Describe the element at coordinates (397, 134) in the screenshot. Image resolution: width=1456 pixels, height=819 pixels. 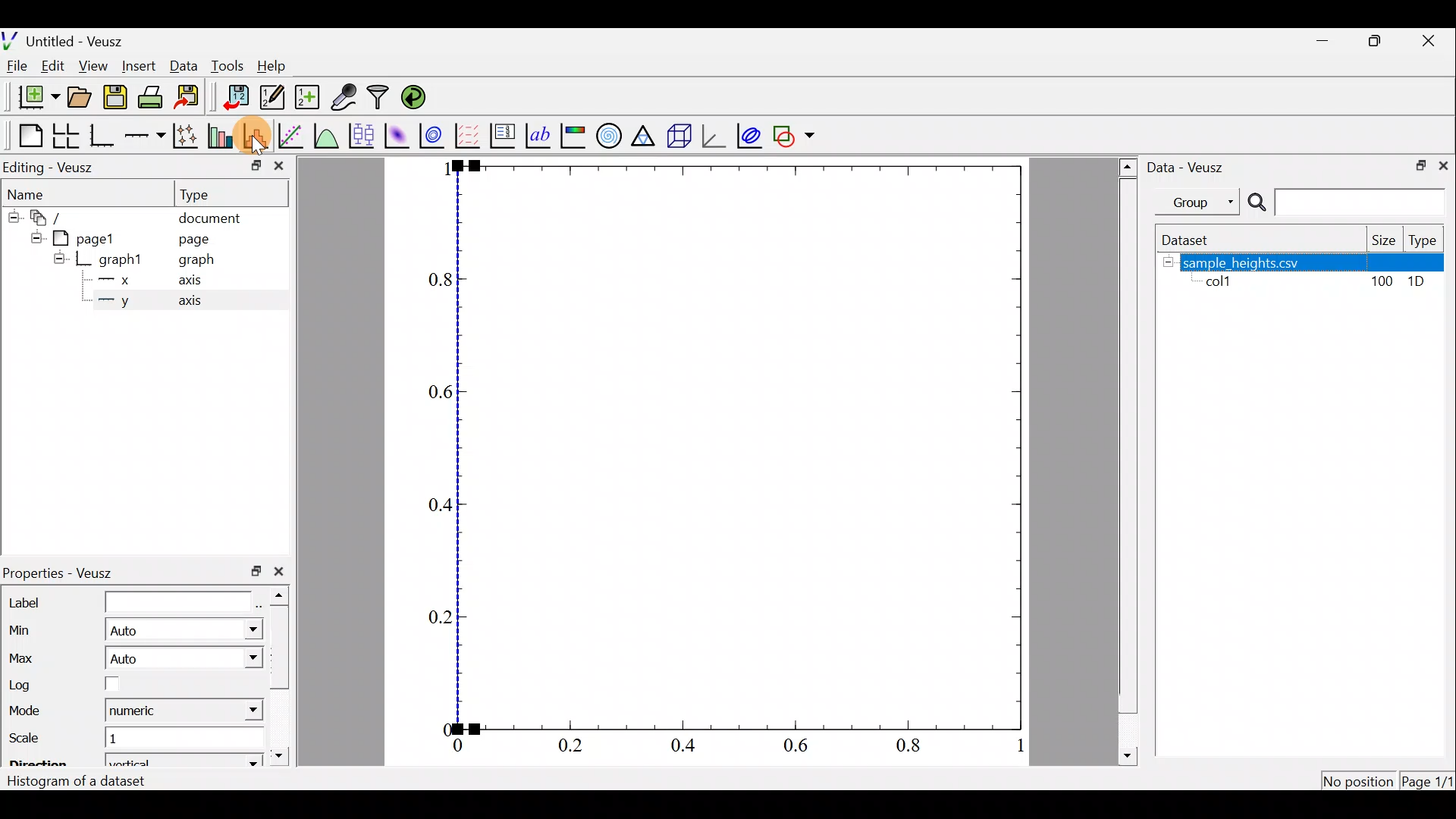
I see `plot a 2d dataset as an image` at that location.